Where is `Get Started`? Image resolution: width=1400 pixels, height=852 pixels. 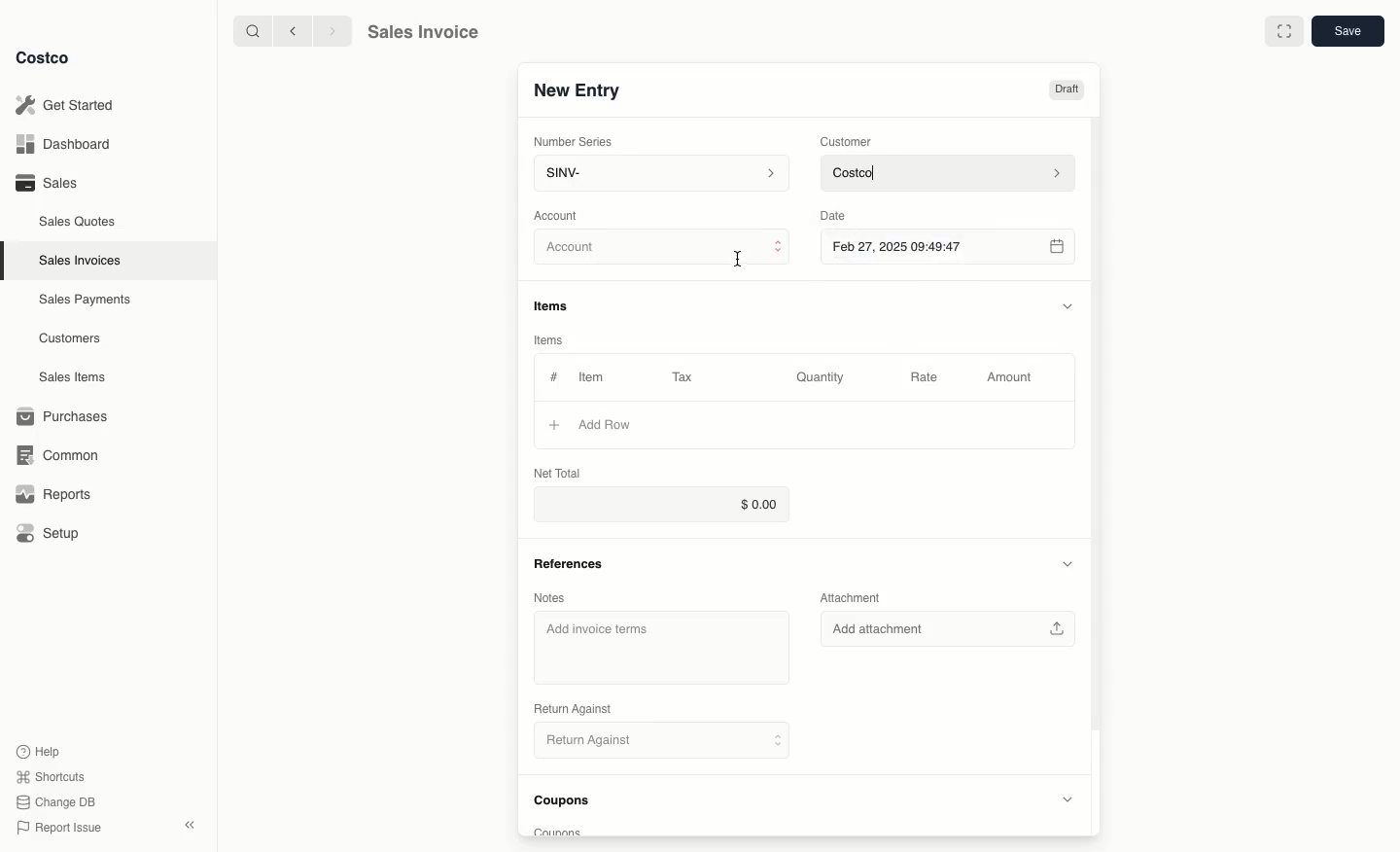 Get Started is located at coordinates (68, 105).